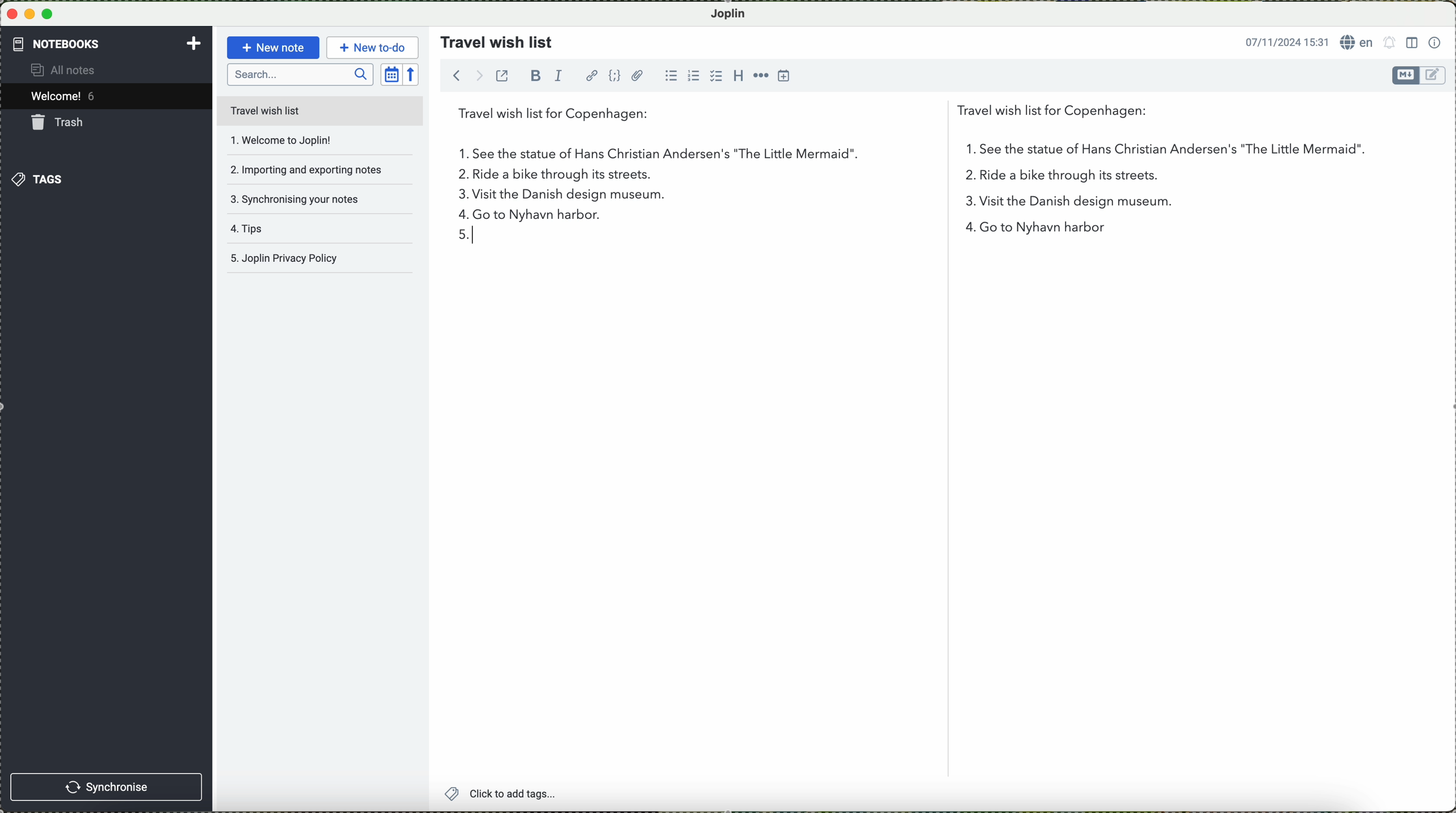  What do you see at coordinates (458, 178) in the screenshot?
I see `2.` at bounding box center [458, 178].